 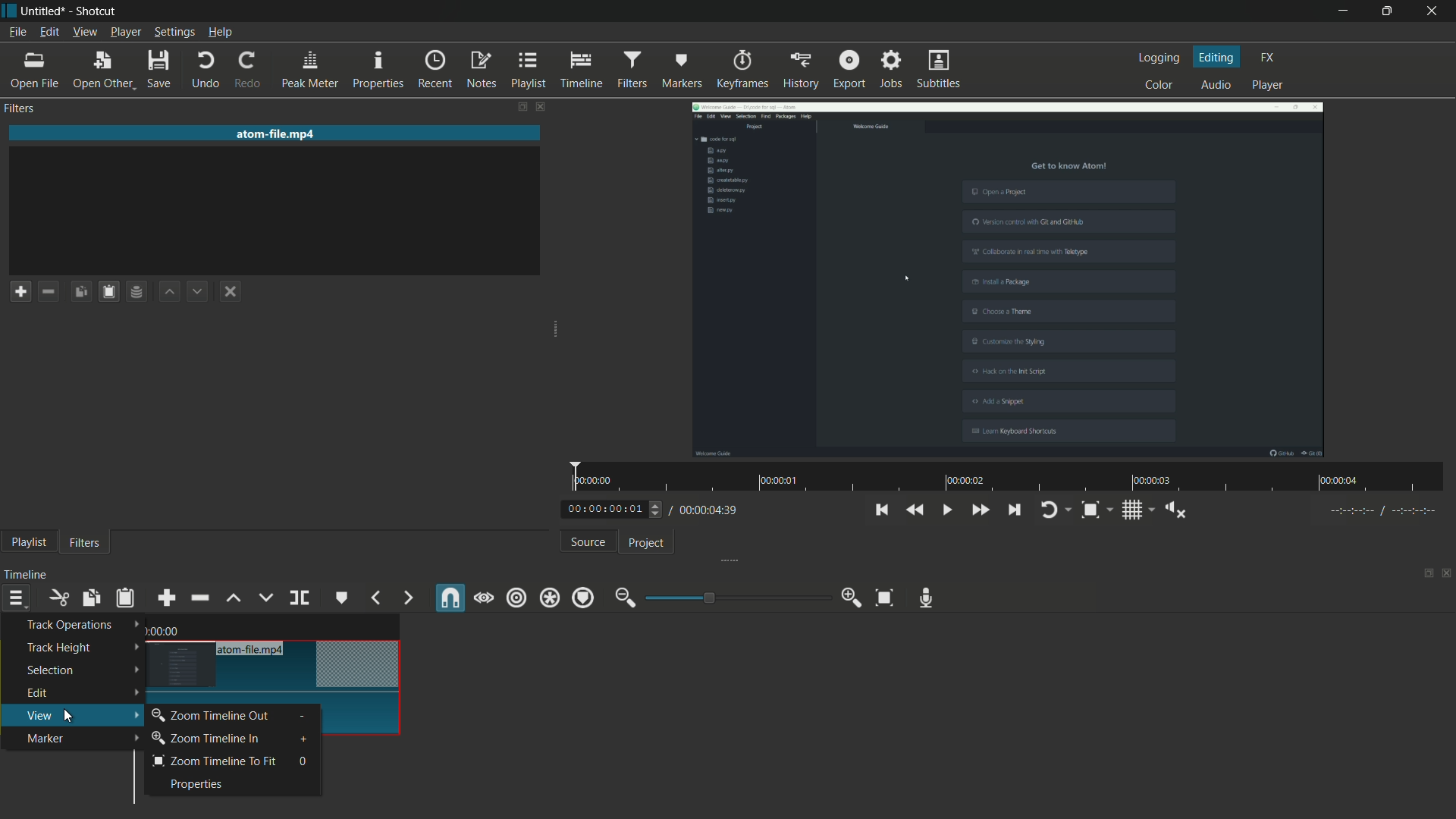 What do you see at coordinates (108, 291) in the screenshot?
I see `paste filters` at bounding box center [108, 291].